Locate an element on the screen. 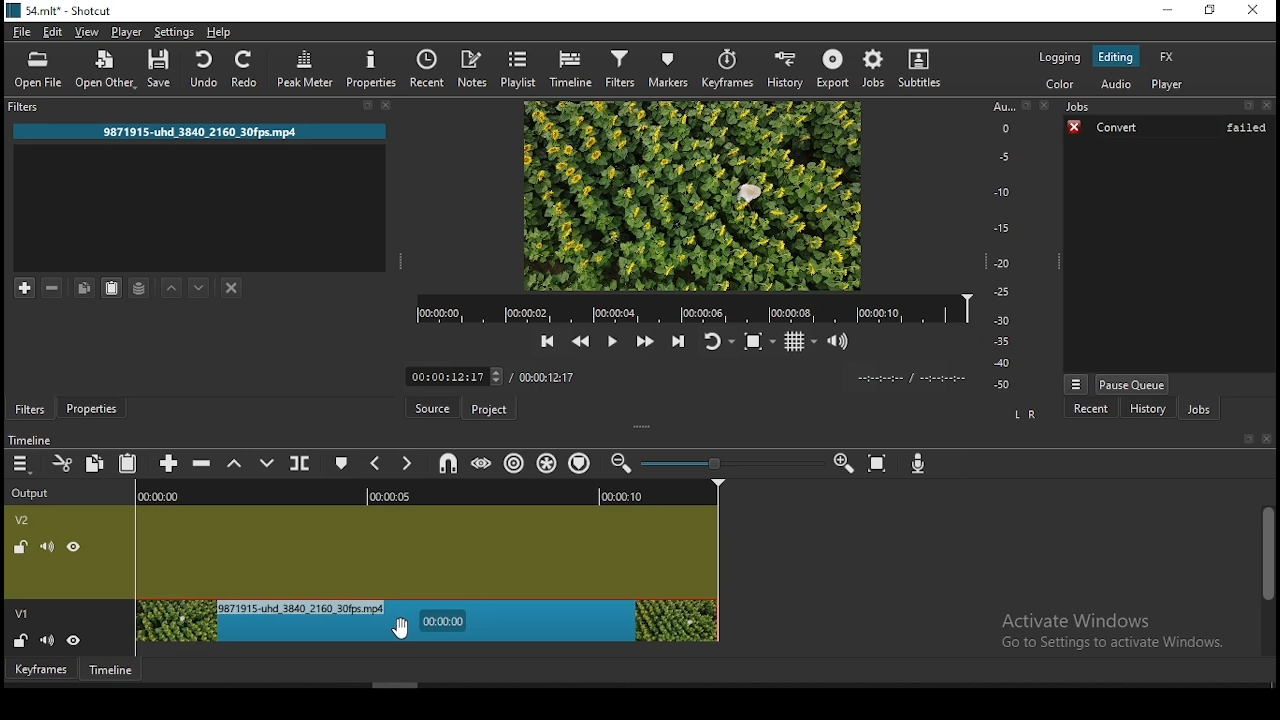  view is located at coordinates (87, 33).